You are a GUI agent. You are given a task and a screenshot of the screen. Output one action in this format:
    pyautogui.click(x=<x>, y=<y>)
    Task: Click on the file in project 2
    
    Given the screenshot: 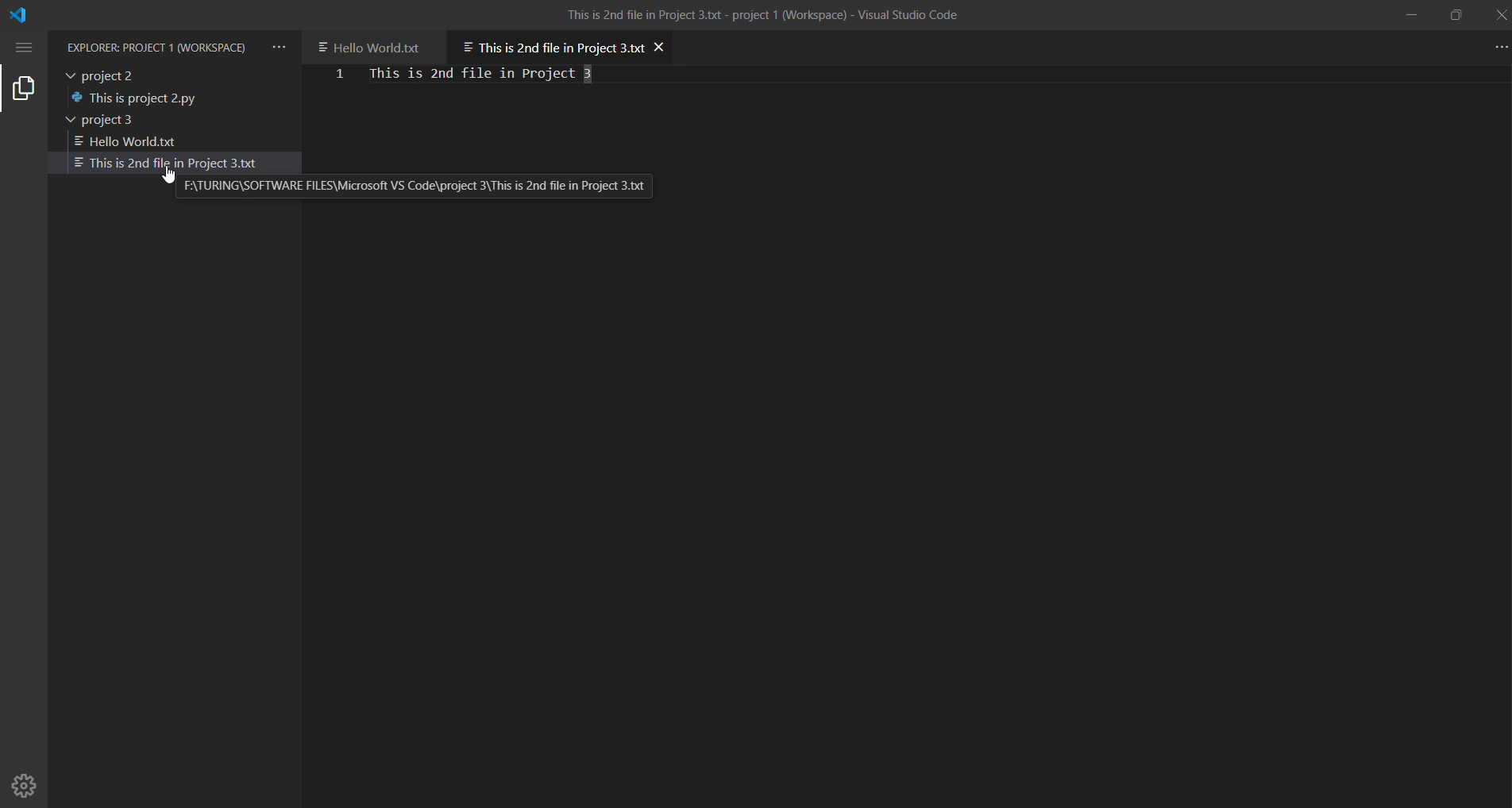 What is the action you would take?
    pyautogui.click(x=148, y=99)
    